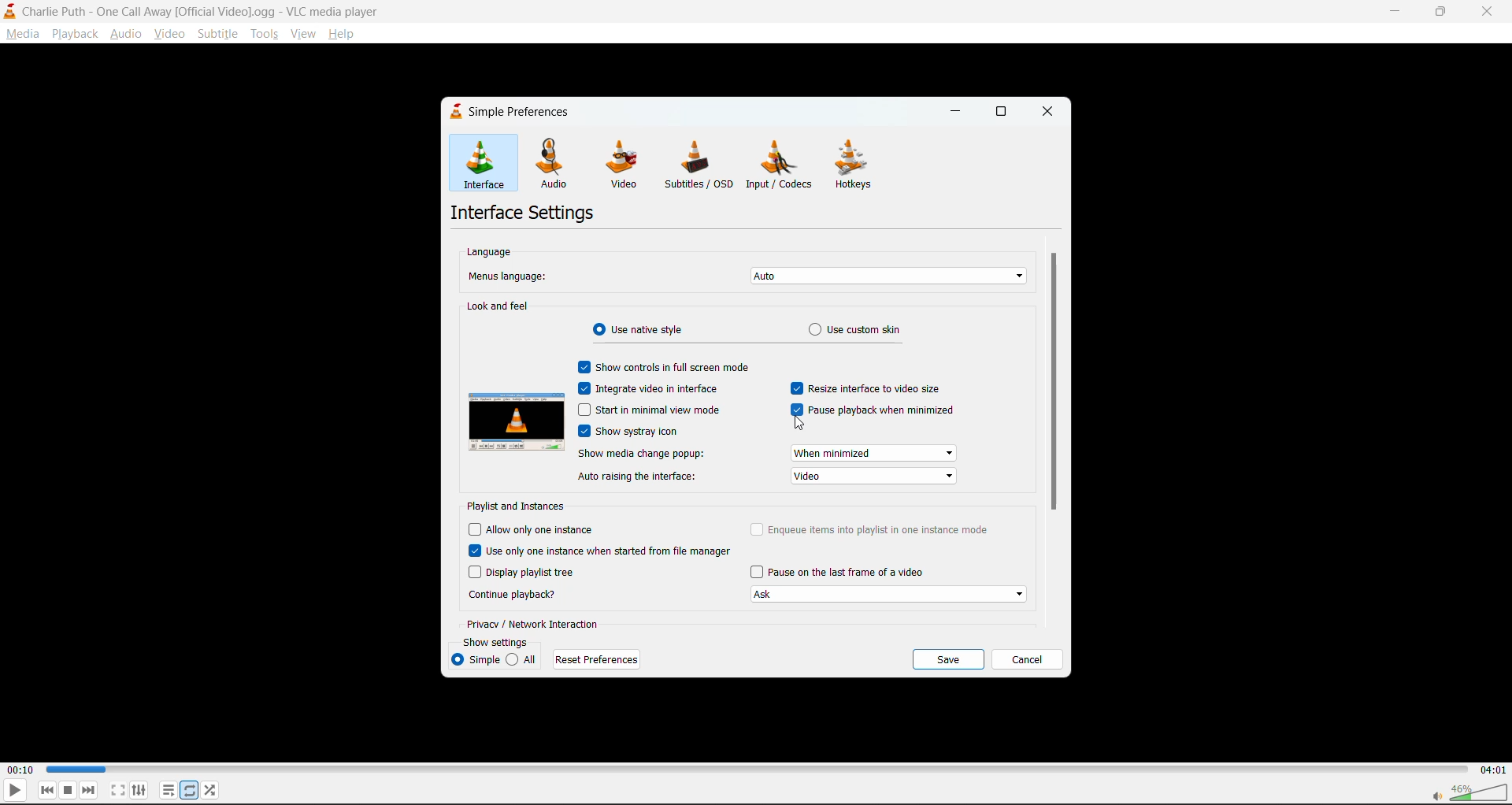 Image resolution: width=1512 pixels, height=805 pixels. What do you see at coordinates (582, 388) in the screenshot?
I see `Checbox` at bounding box center [582, 388].